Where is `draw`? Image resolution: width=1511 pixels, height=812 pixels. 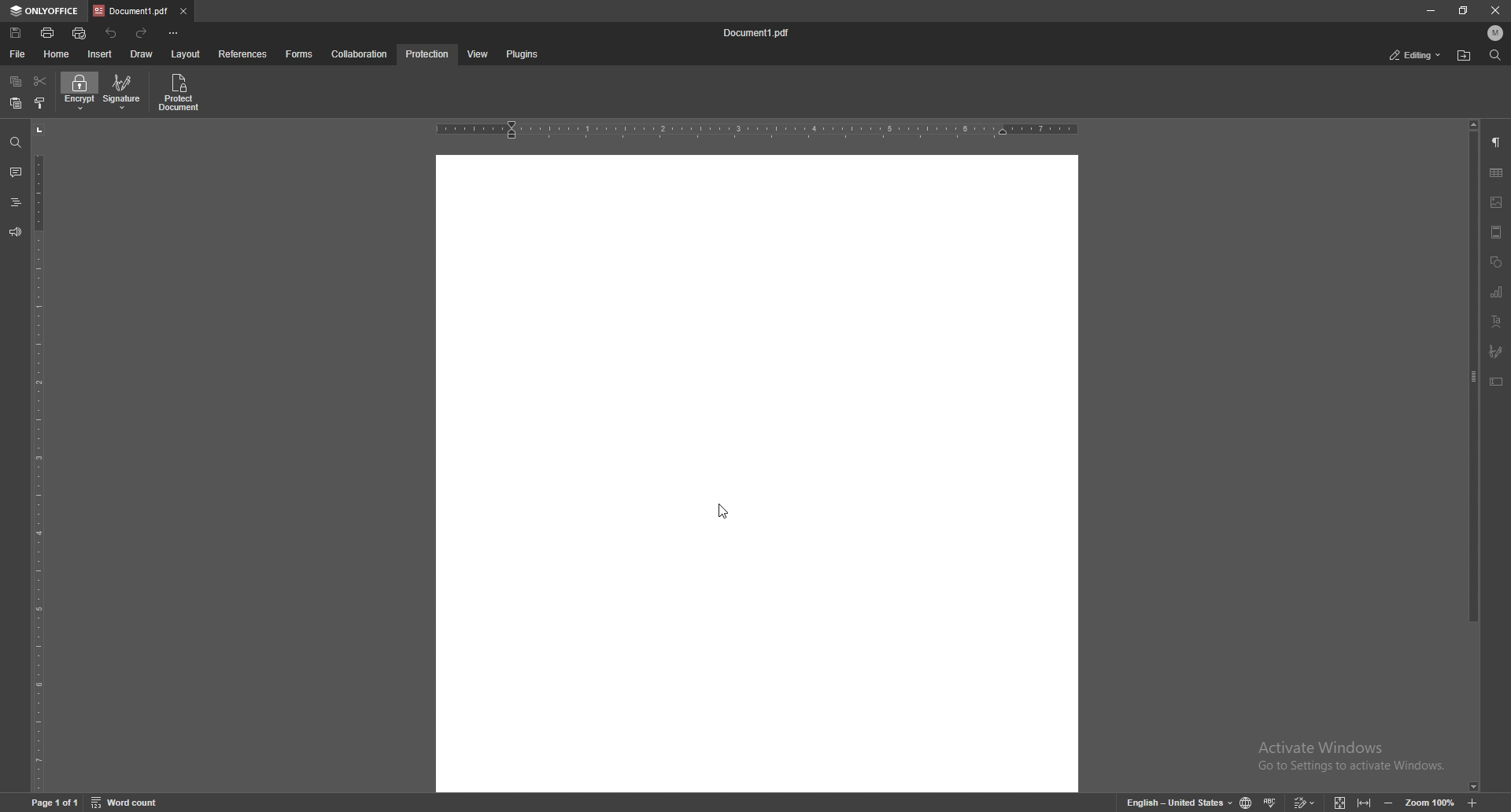
draw is located at coordinates (142, 54).